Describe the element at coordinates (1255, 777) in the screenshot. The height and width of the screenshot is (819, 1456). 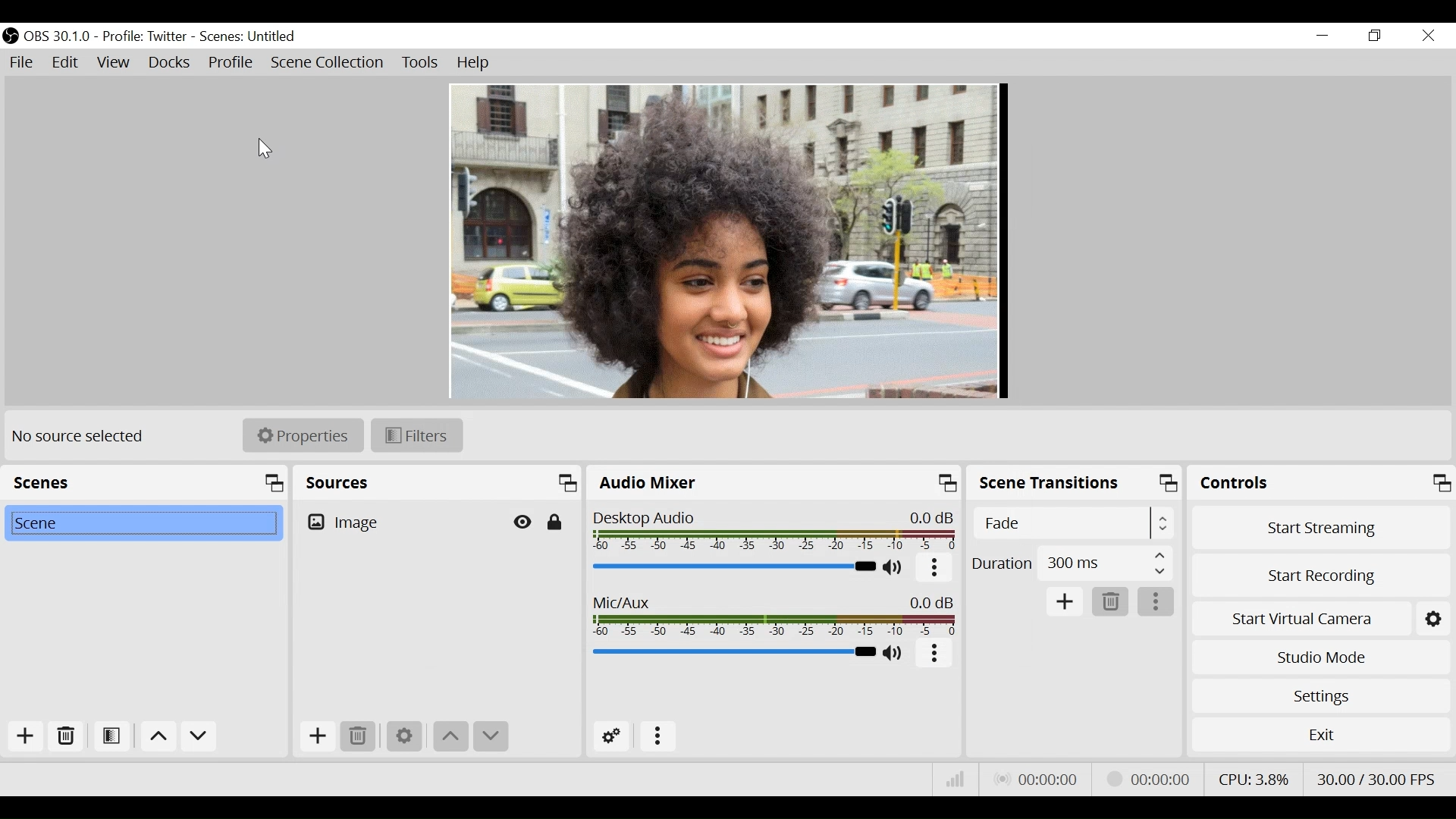
I see `CPU Usage` at that location.